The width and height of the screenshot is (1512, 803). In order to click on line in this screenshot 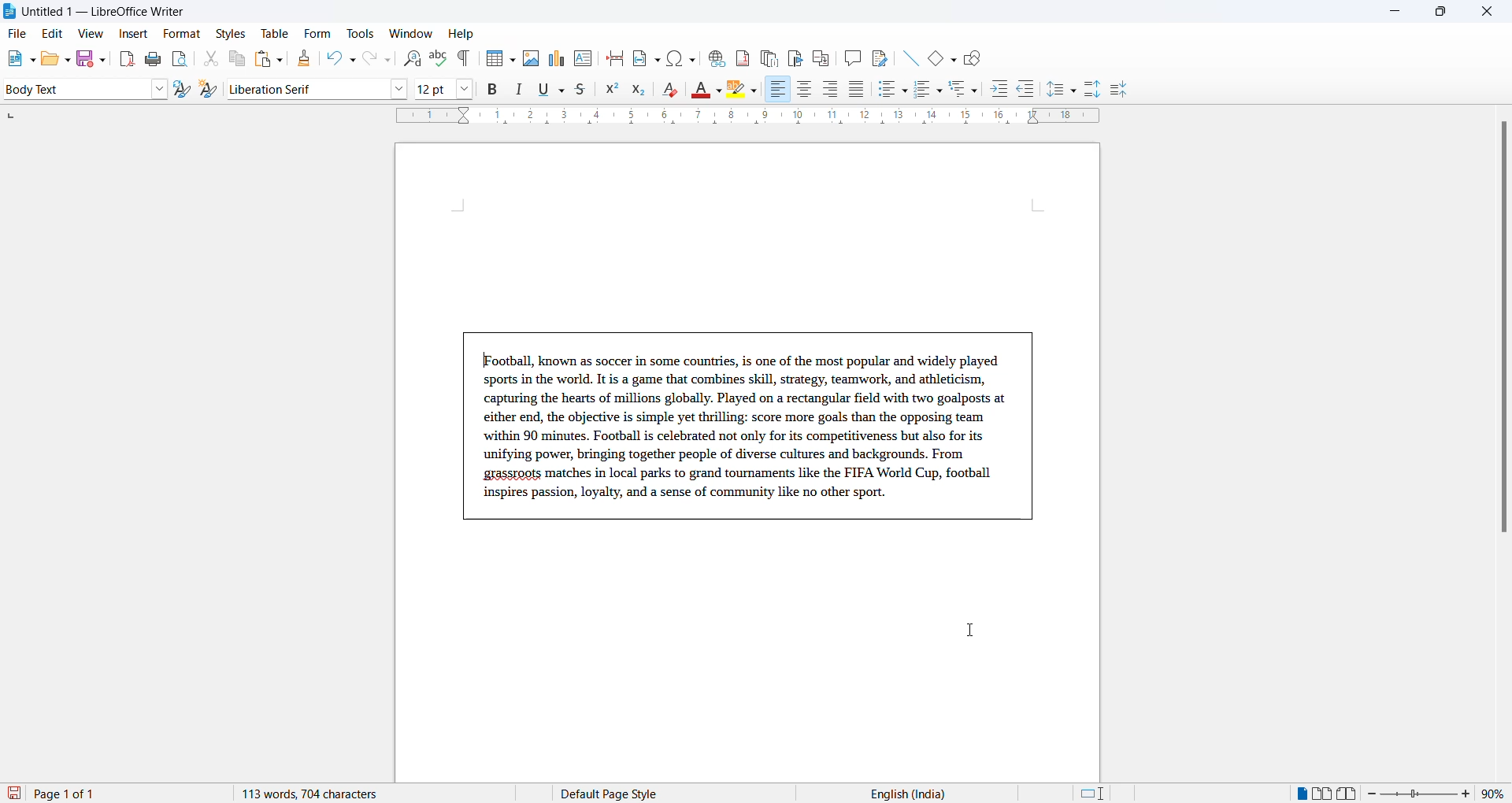, I will do `click(906, 56)`.